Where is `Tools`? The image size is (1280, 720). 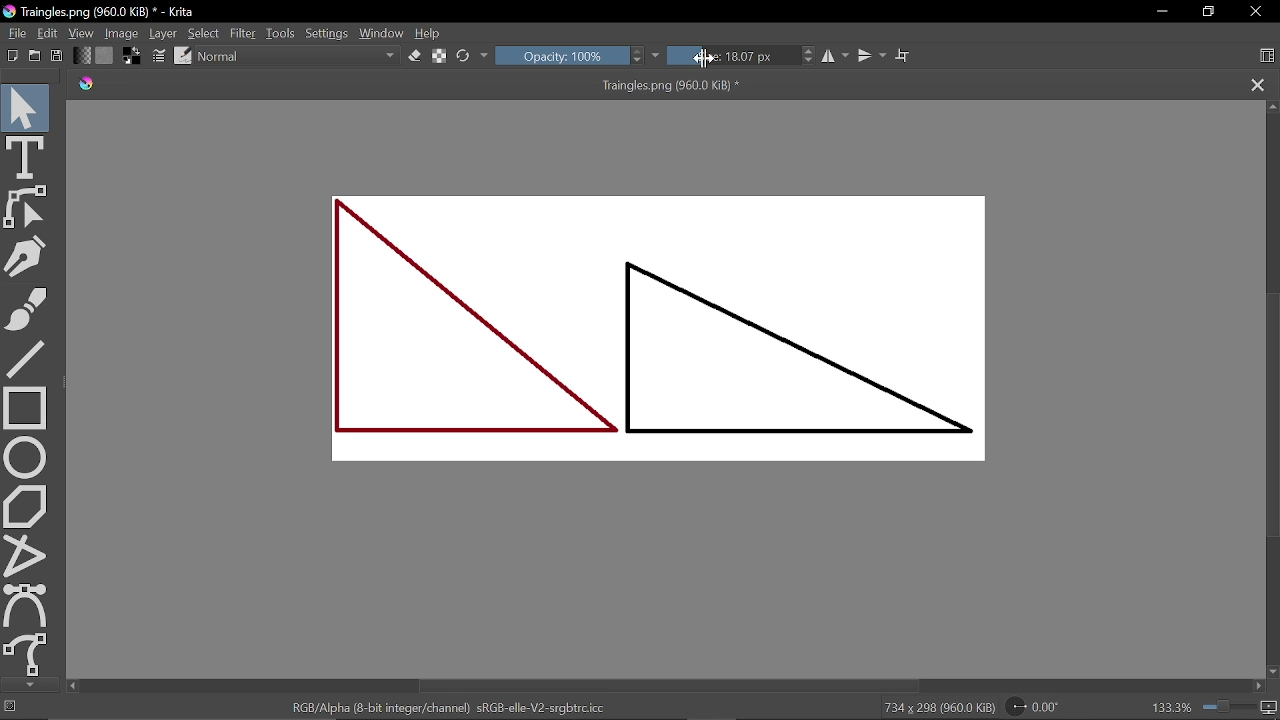
Tools is located at coordinates (281, 33).